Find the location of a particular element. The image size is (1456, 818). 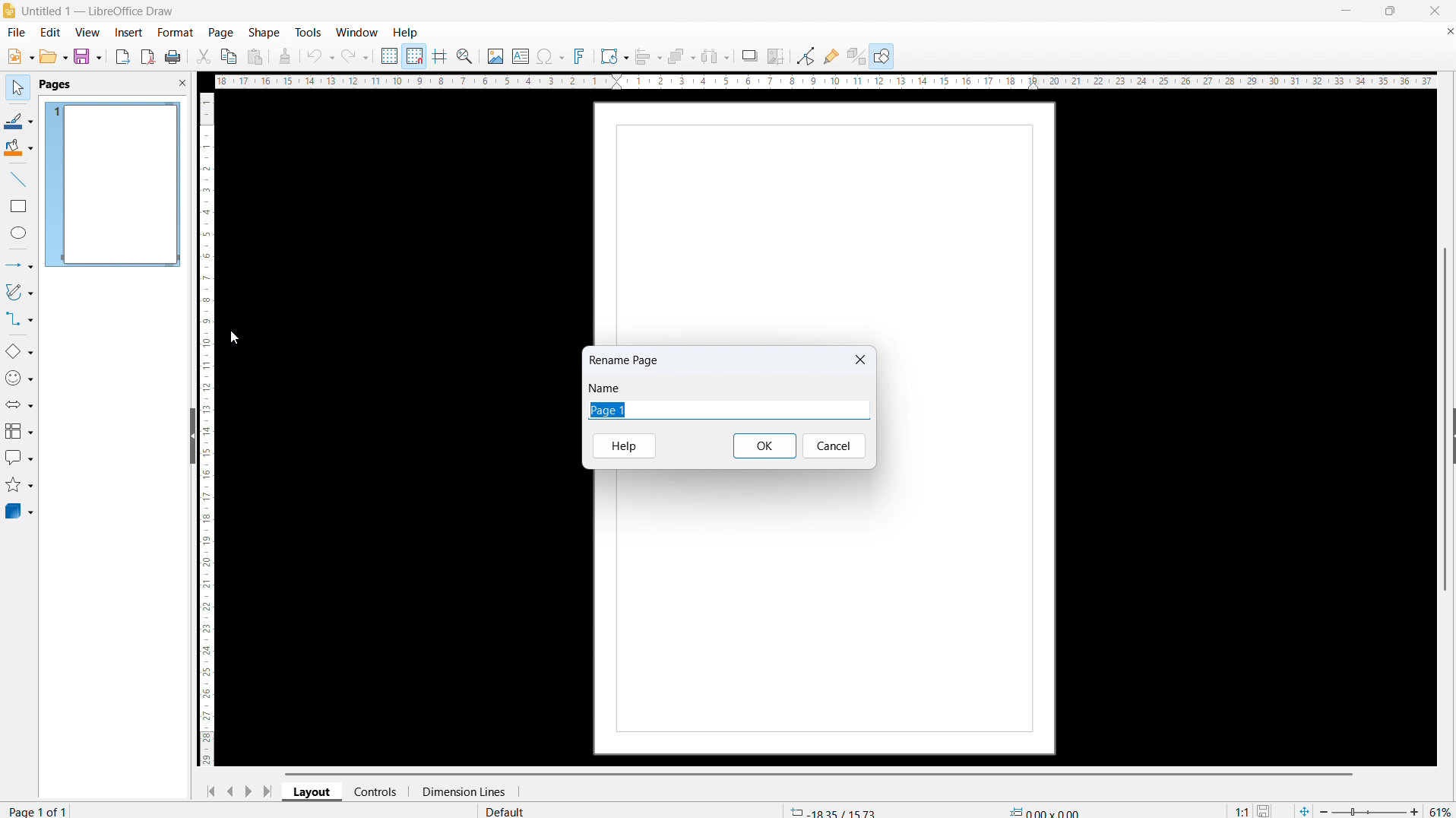

Rename page  is located at coordinates (624, 361).